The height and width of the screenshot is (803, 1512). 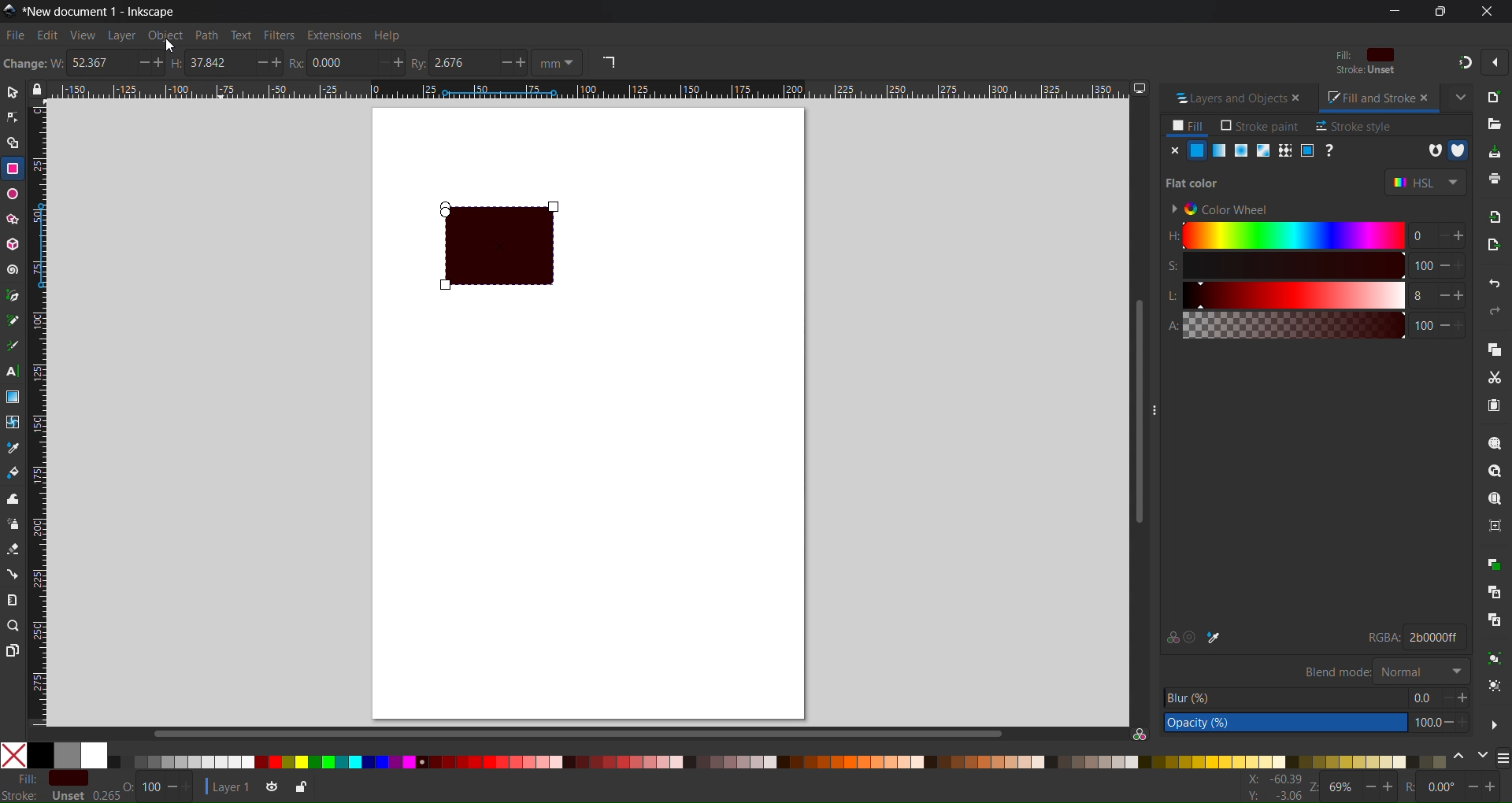 I want to click on  100, so click(x=1422, y=266).